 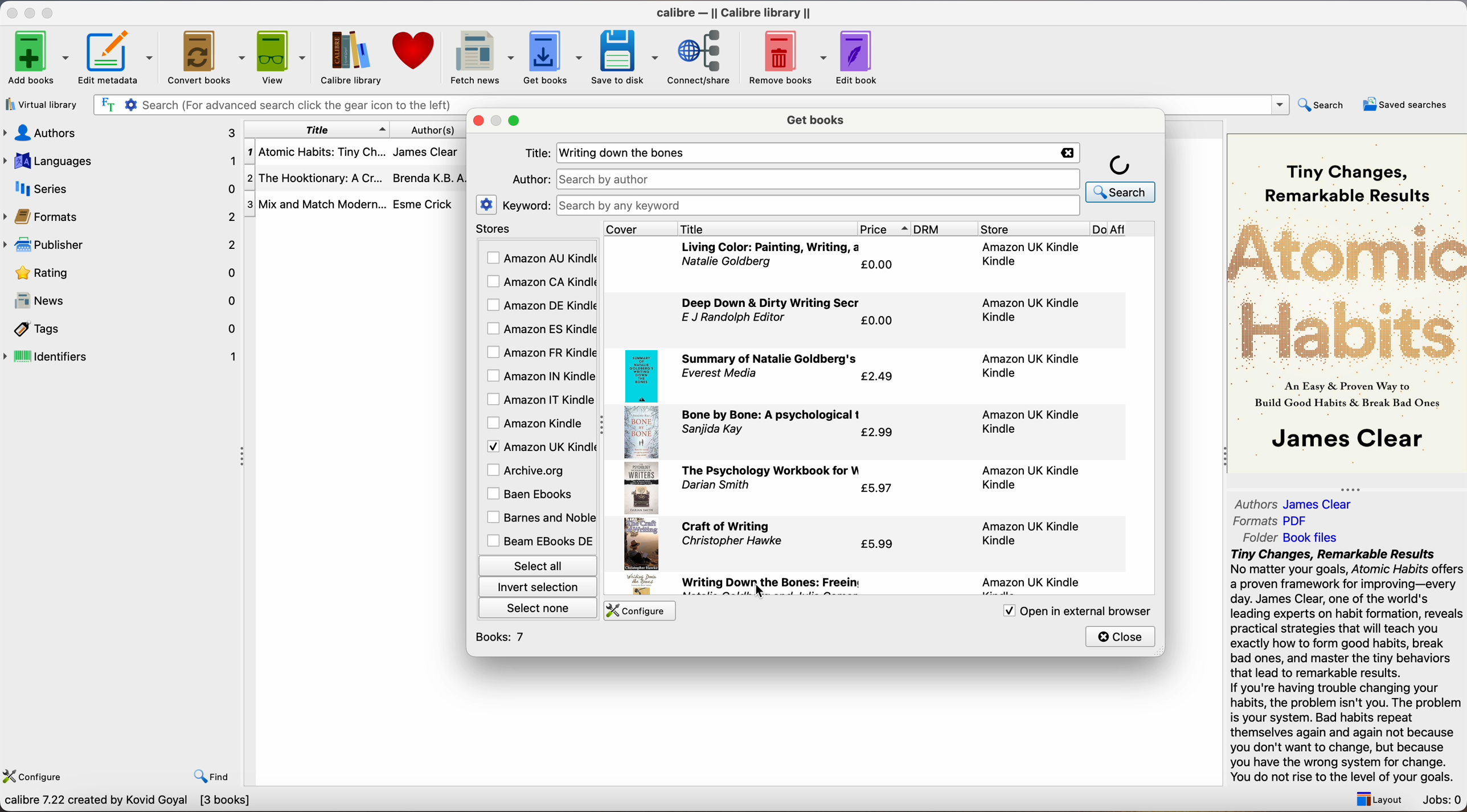 What do you see at coordinates (123, 355) in the screenshot?
I see `indentifiers` at bounding box center [123, 355].